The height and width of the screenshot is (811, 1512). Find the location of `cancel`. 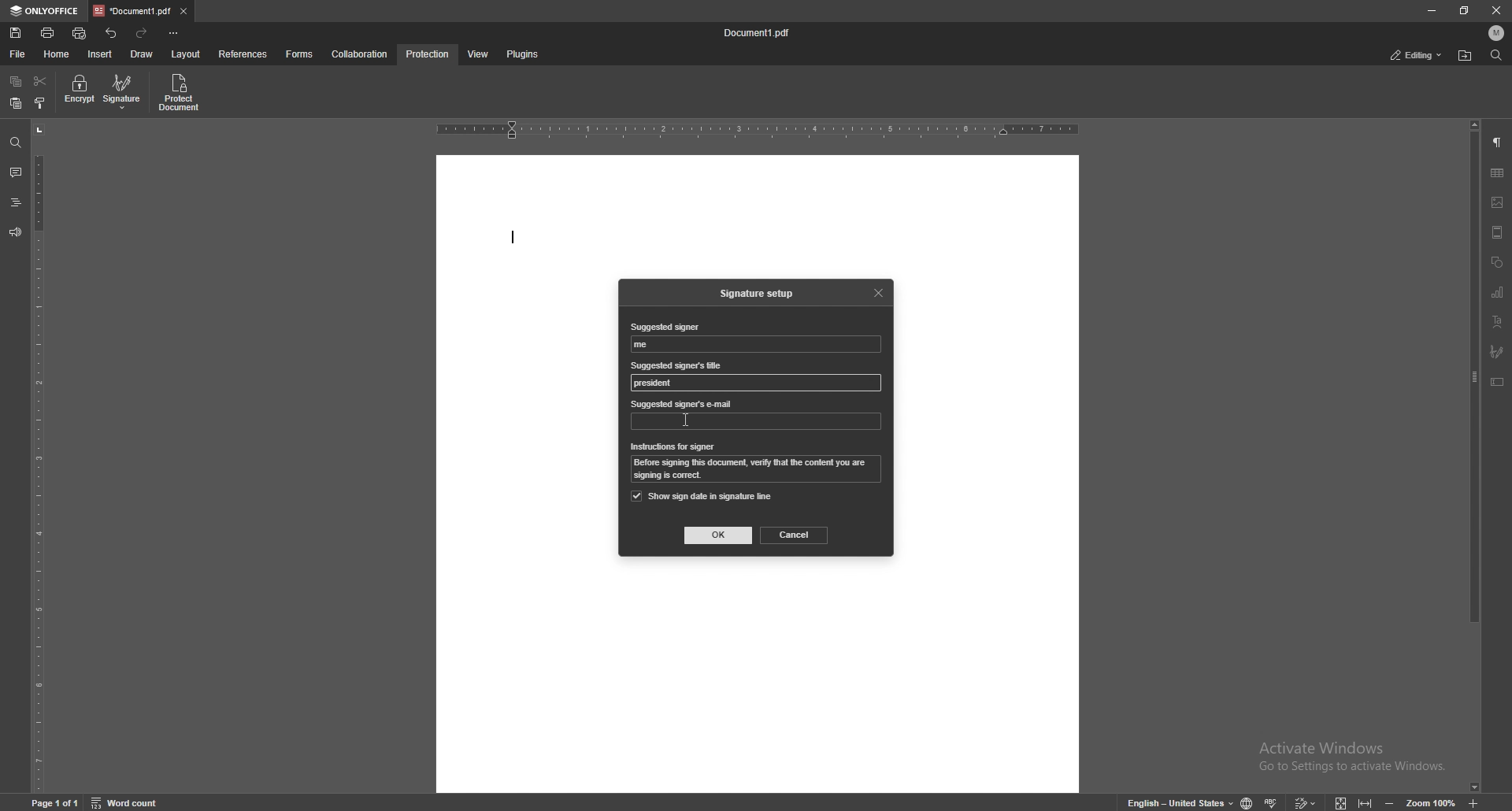

cancel is located at coordinates (795, 535).